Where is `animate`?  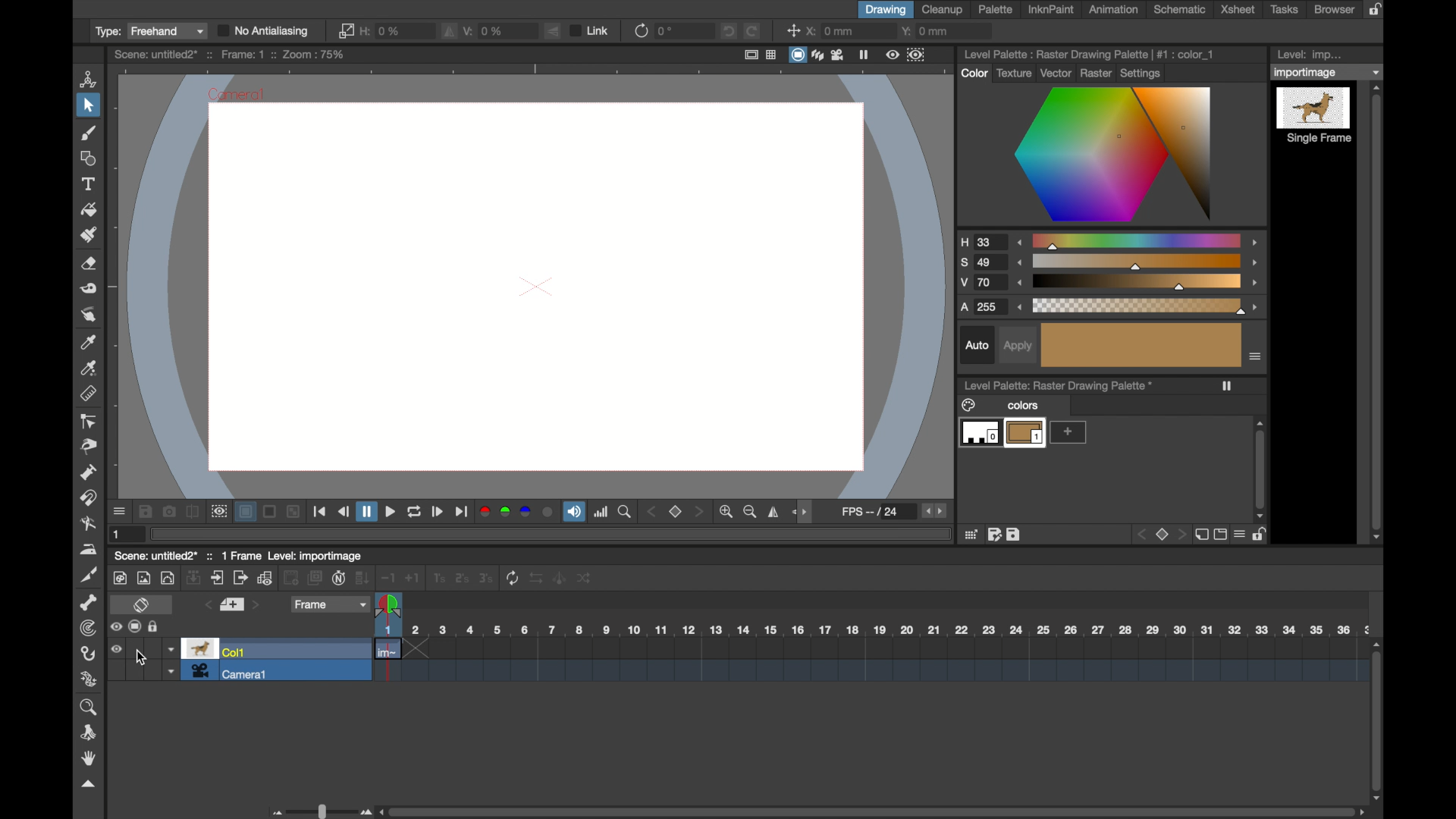
animate is located at coordinates (560, 577).